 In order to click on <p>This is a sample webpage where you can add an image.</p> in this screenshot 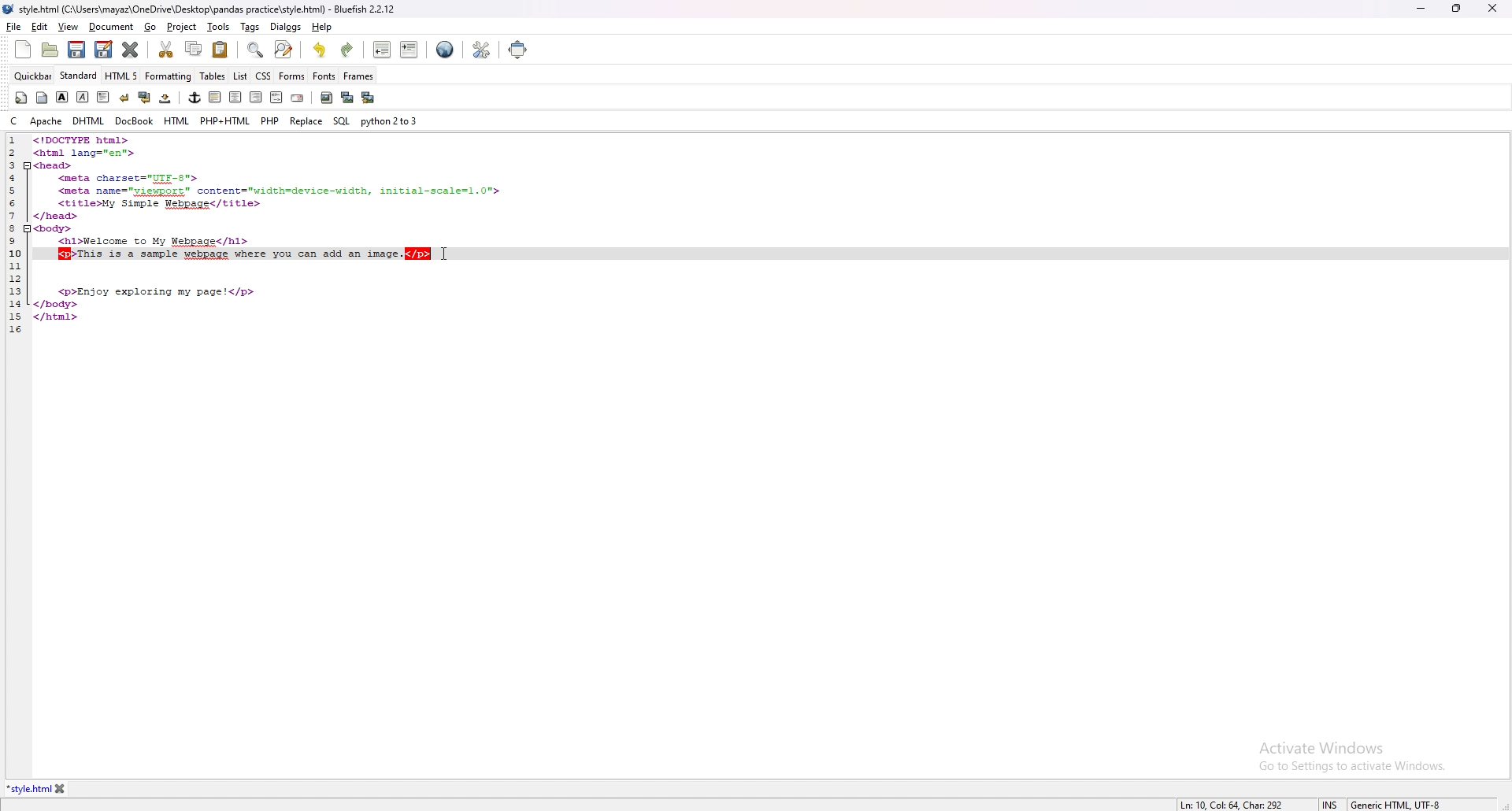, I will do `click(244, 255)`.